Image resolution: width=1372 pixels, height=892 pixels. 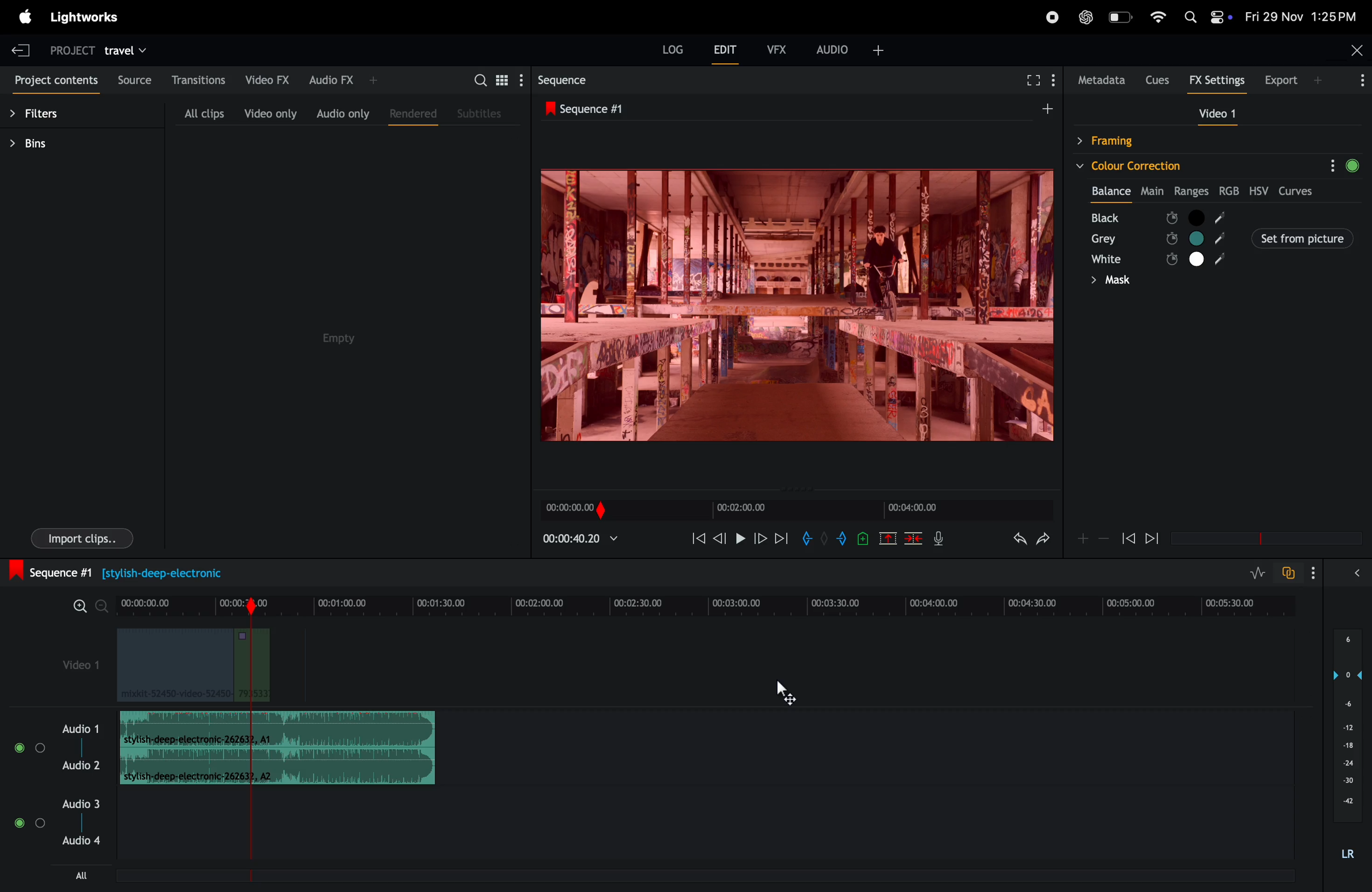 I want to click on Toggle, so click(x=41, y=824).